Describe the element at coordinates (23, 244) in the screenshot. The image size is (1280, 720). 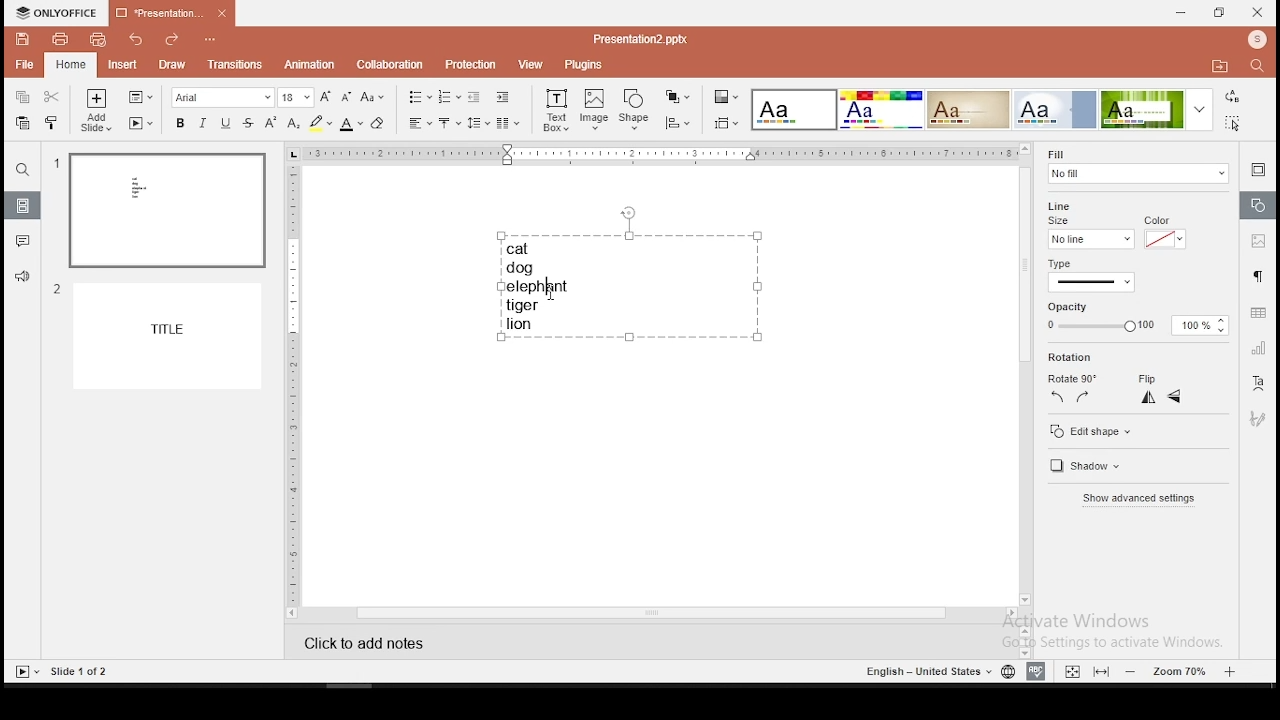
I see `comments` at that location.